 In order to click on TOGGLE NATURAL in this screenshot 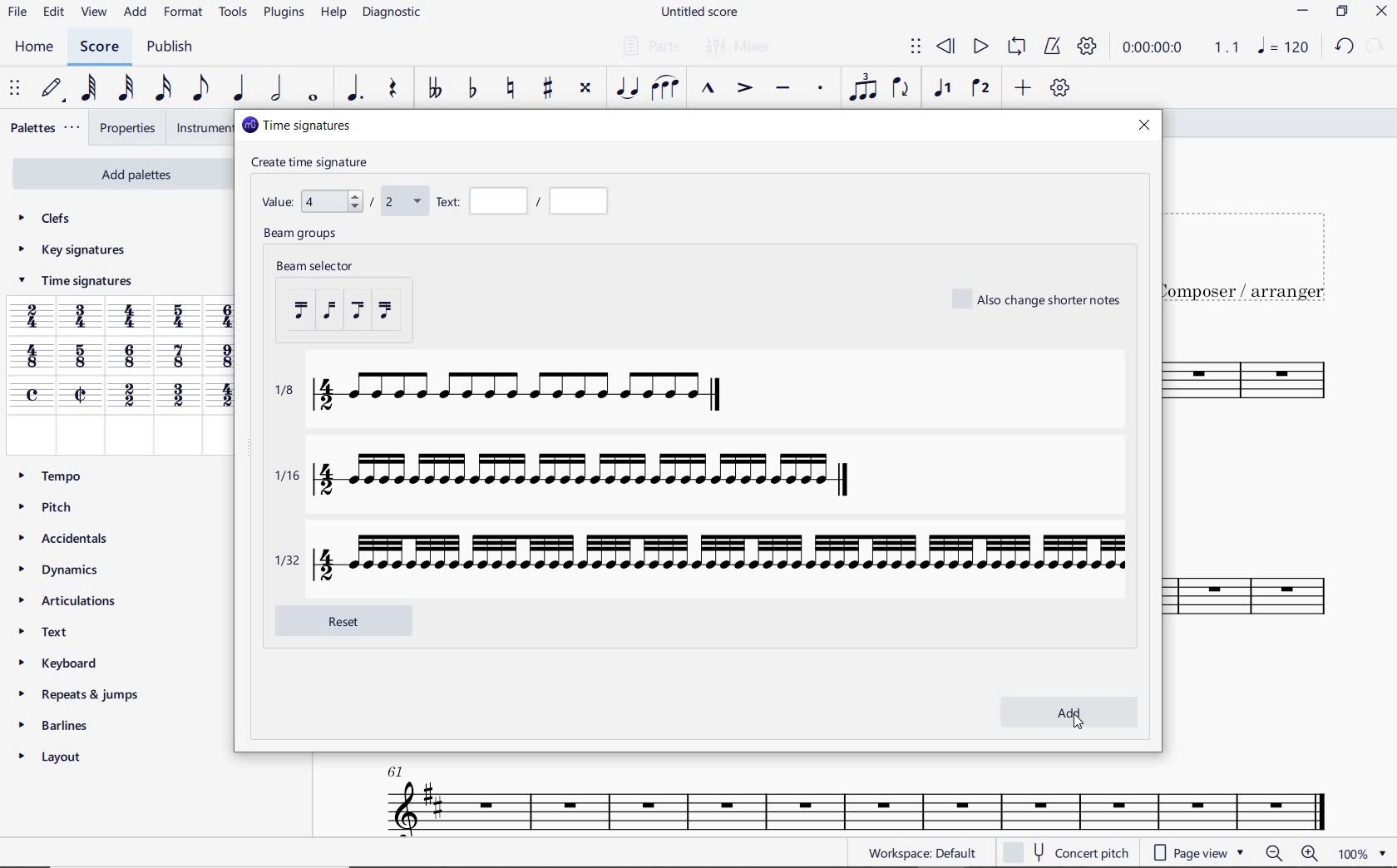, I will do `click(513, 89)`.